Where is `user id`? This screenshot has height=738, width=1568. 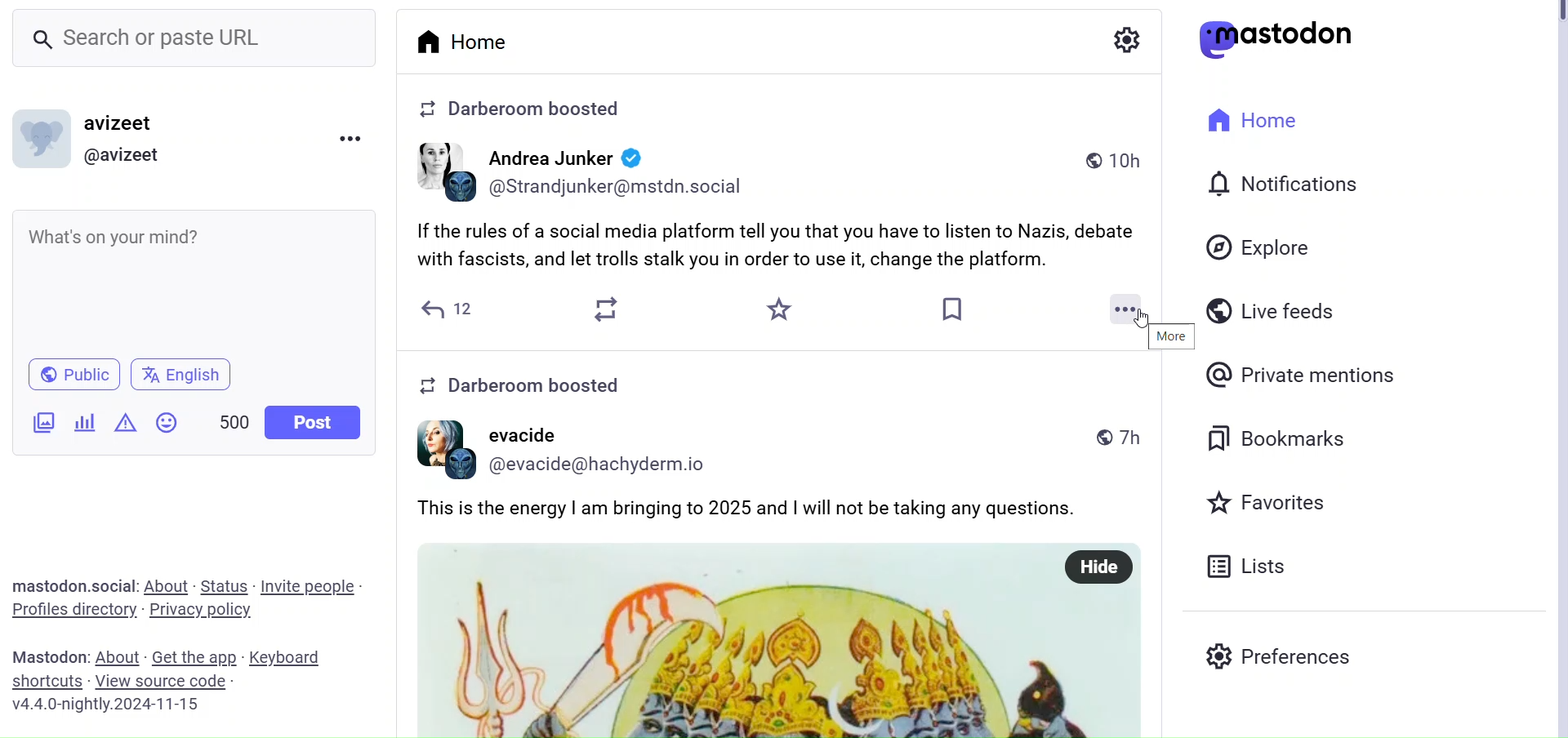
user id is located at coordinates (617, 185).